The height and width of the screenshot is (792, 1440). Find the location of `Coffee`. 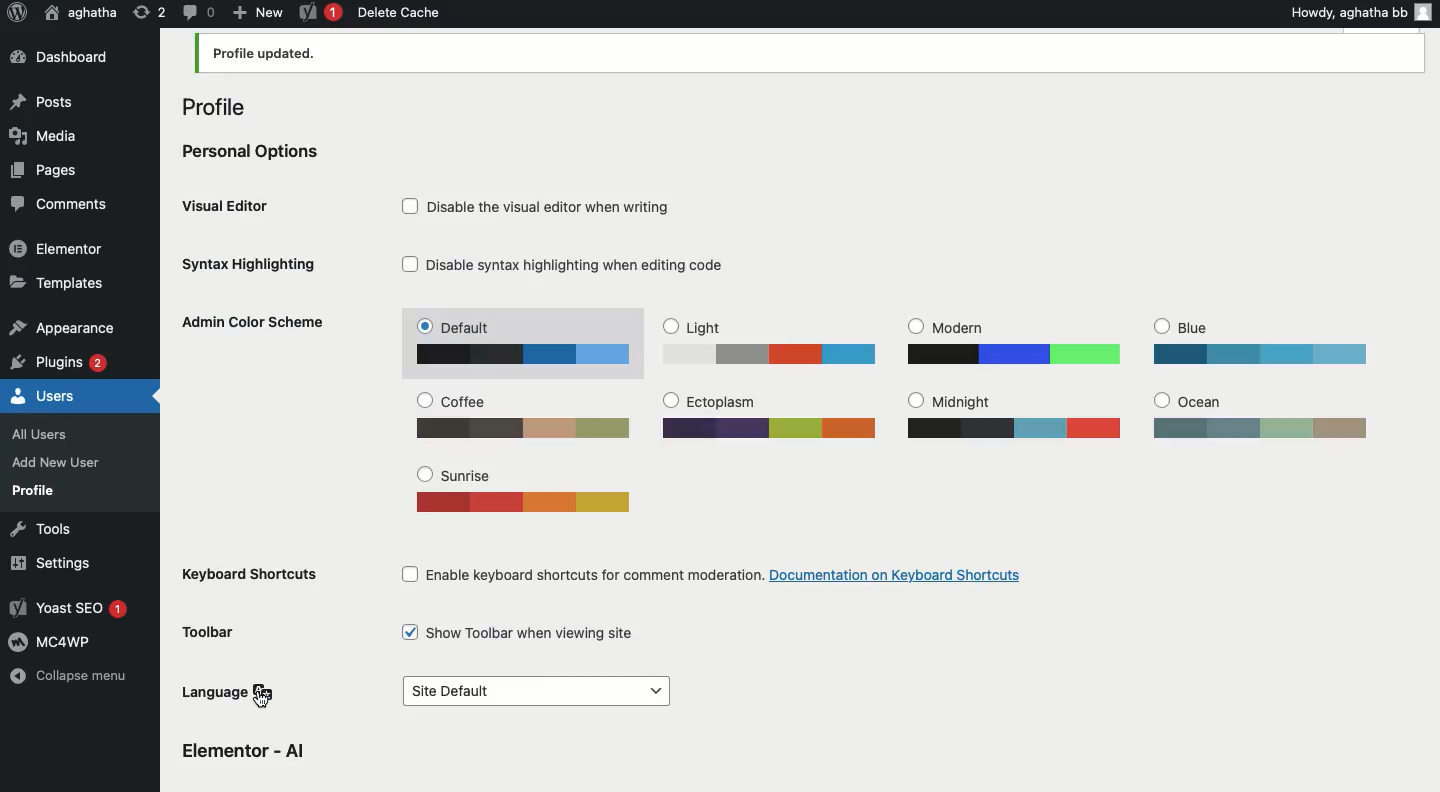

Coffee is located at coordinates (527, 413).